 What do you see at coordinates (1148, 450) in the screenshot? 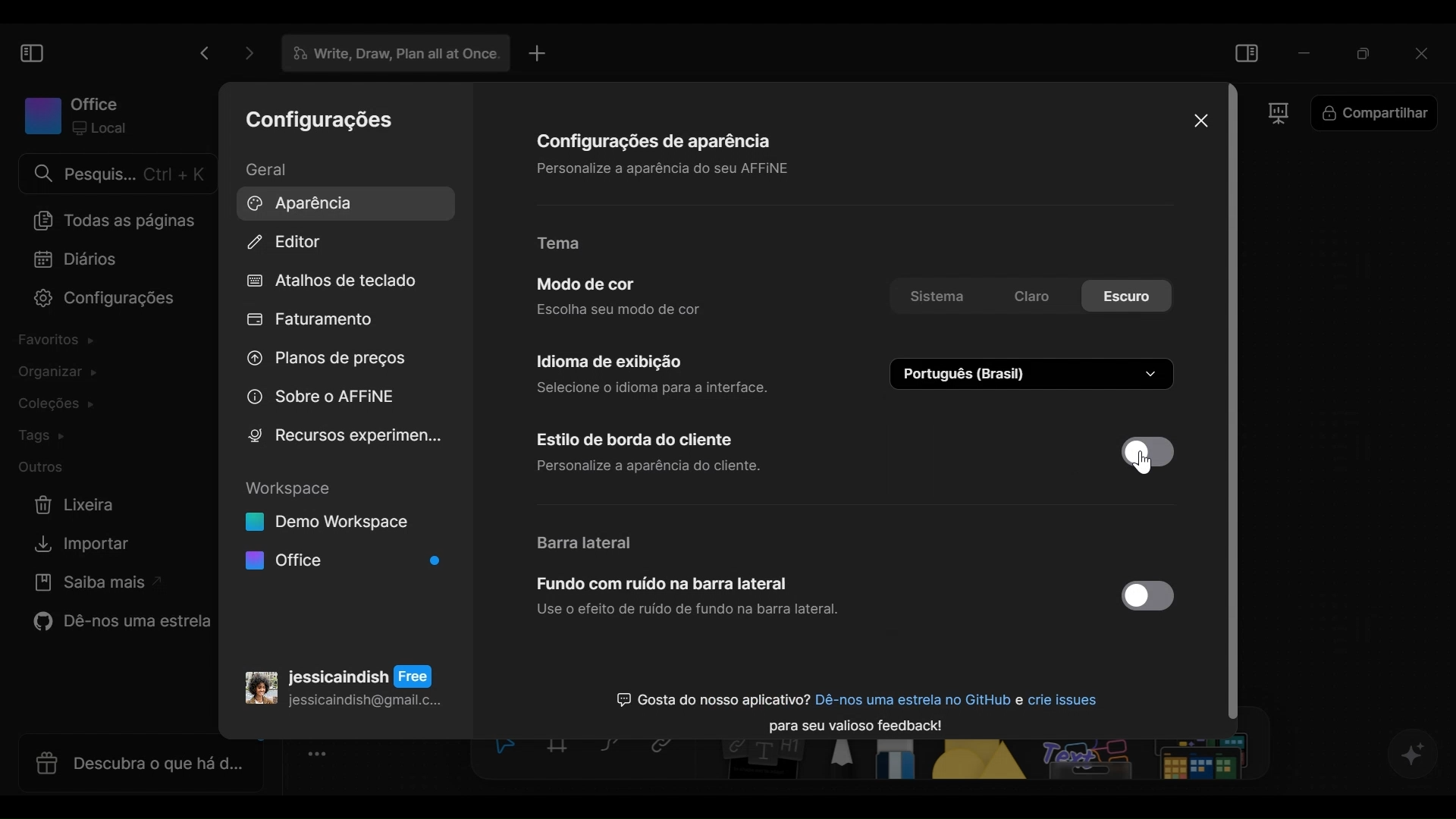
I see `toggle` at bounding box center [1148, 450].